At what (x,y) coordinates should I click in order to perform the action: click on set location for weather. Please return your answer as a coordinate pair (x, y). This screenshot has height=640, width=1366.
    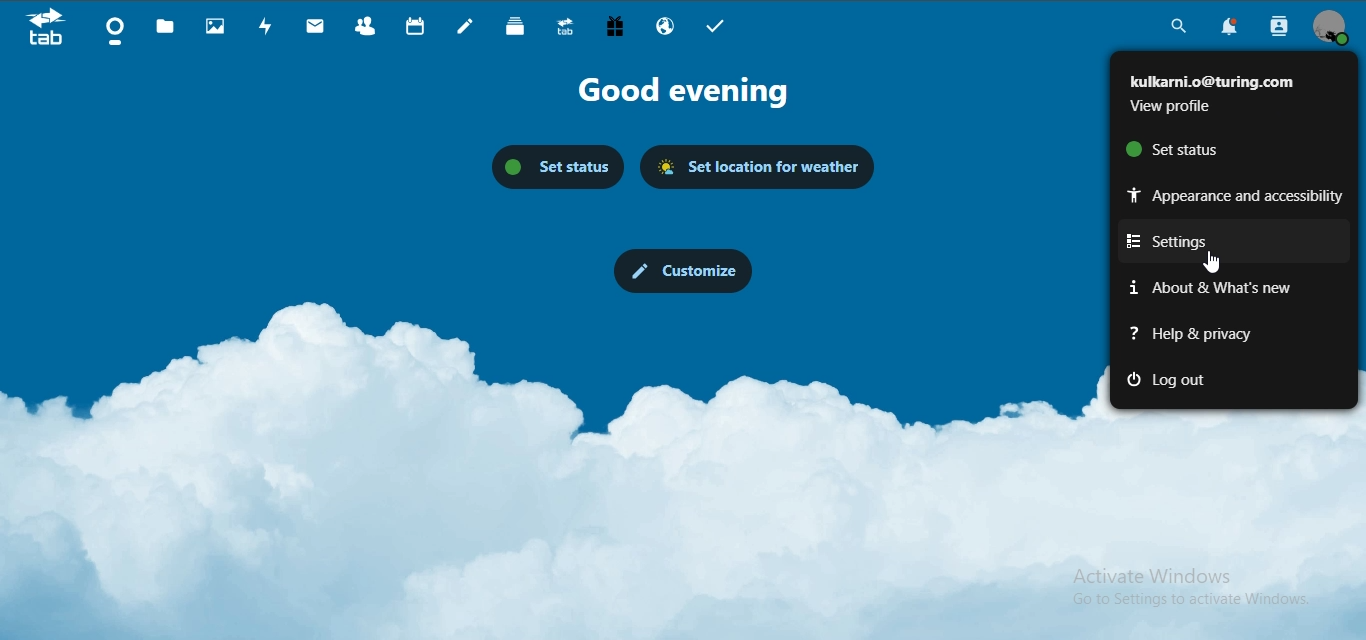
    Looking at the image, I should click on (756, 169).